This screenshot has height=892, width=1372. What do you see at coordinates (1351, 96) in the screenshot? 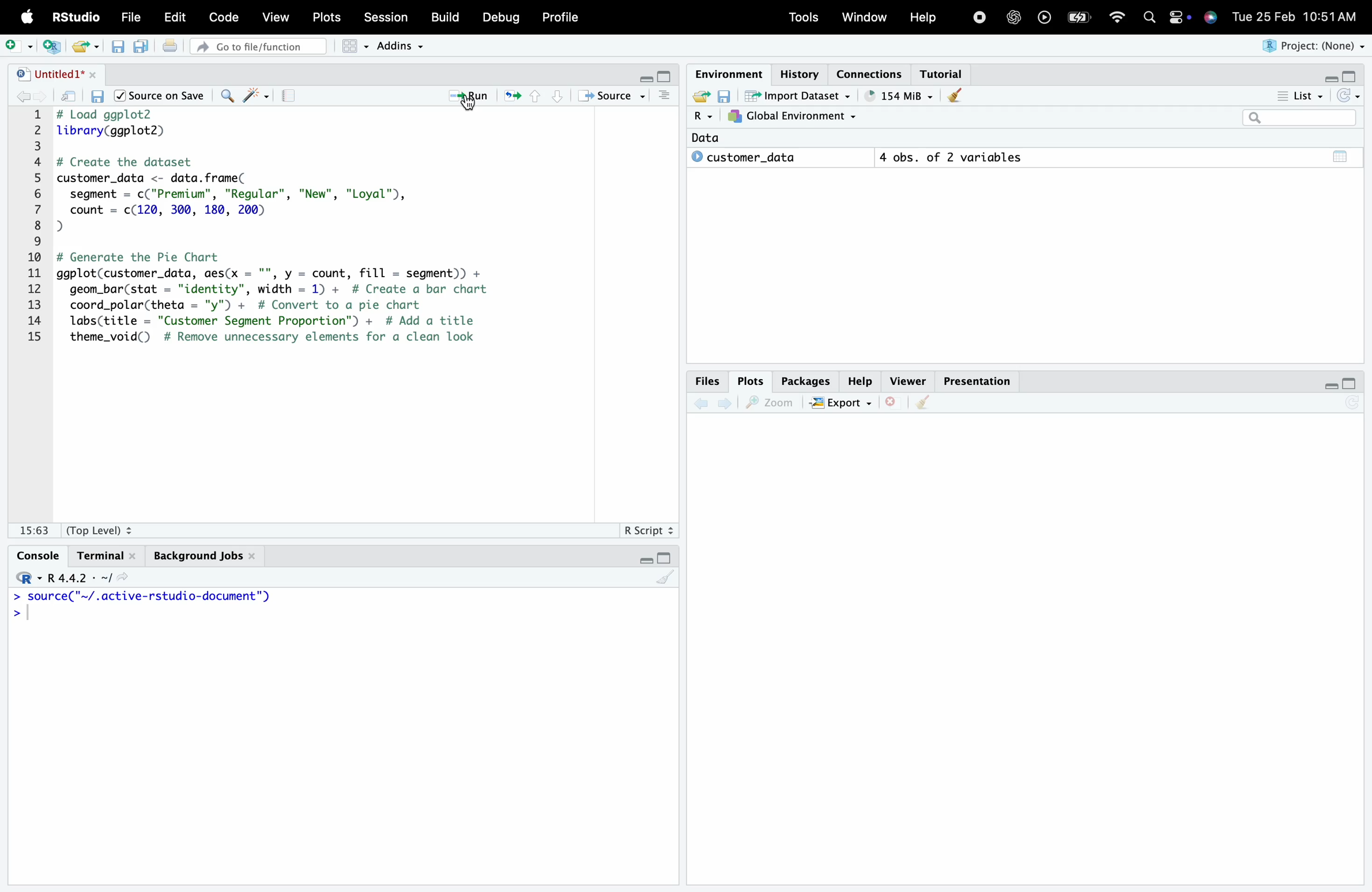
I see `reload` at bounding box center [1351, 96].